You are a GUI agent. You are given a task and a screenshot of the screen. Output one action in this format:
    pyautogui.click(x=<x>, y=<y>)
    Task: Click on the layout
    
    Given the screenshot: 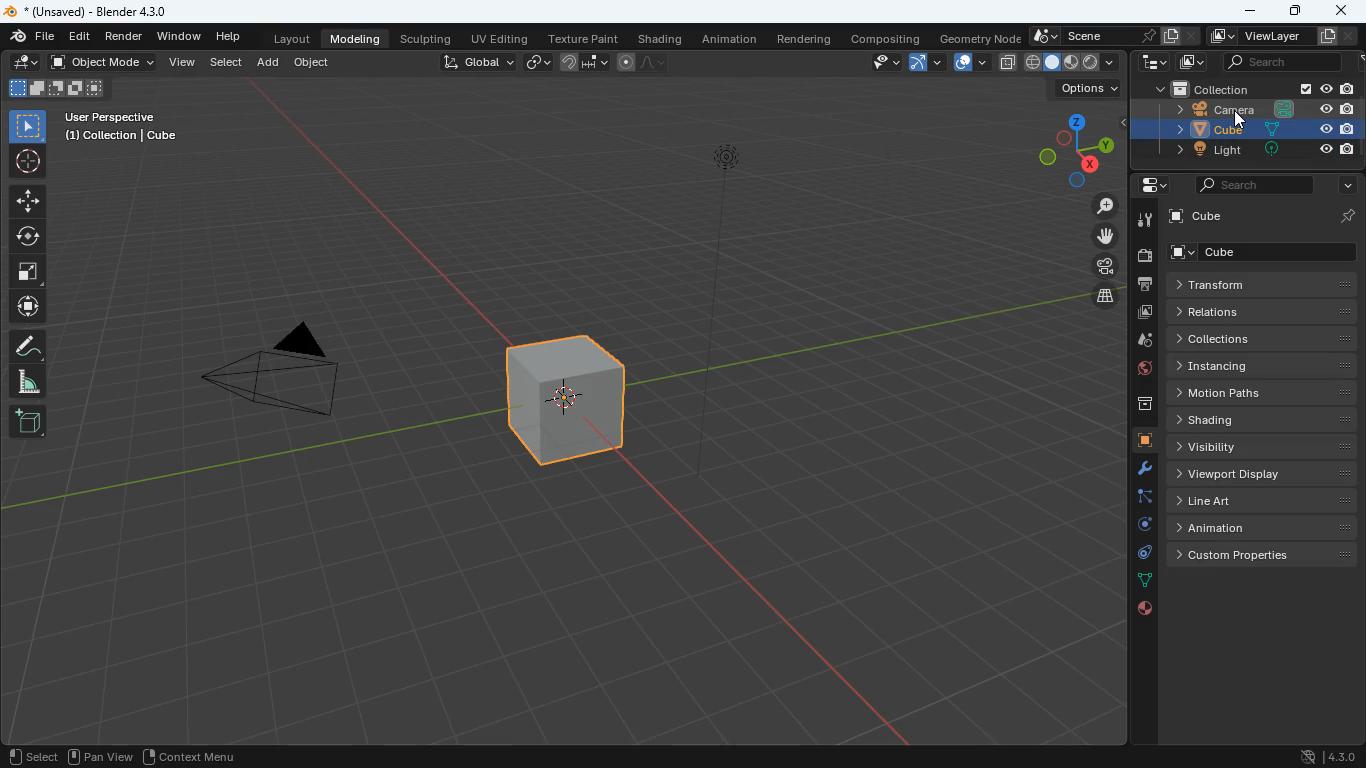 What is the action you would take?
    pyautogui.click(x=974, y=63)
    